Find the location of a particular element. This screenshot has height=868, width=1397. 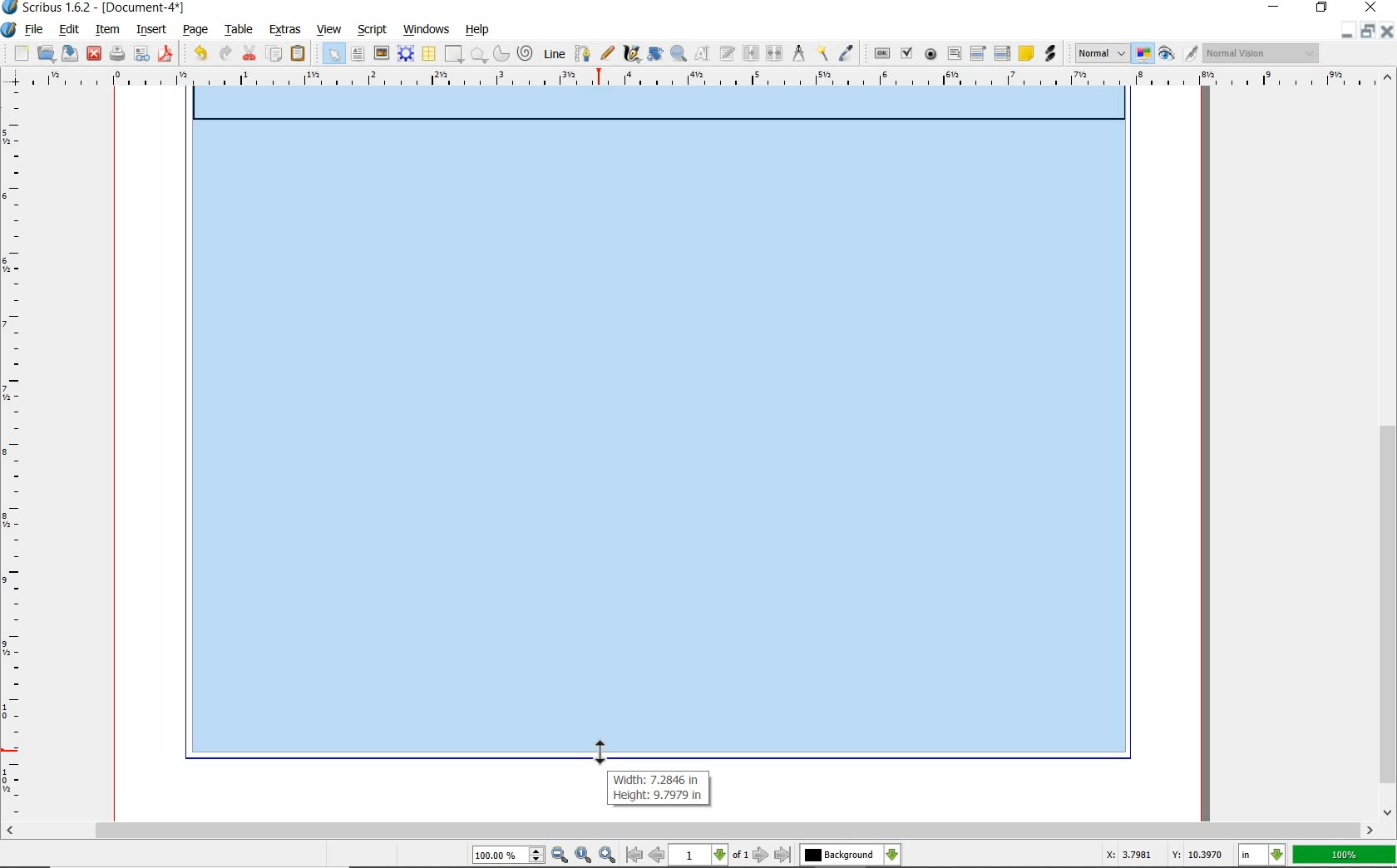

pdf check box is located at coordinates (906, 52).